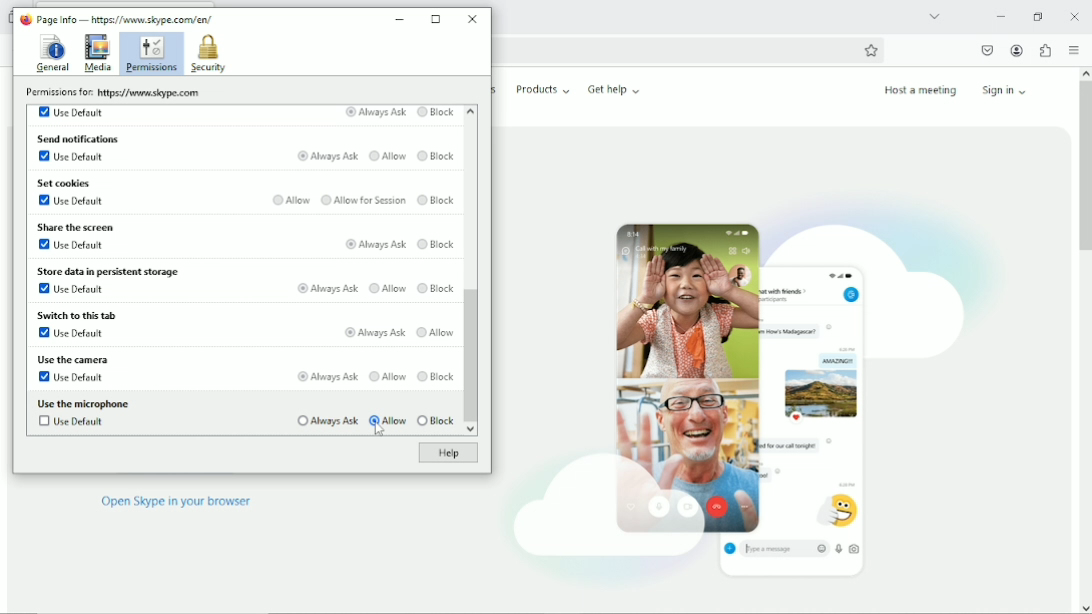 The image size is (1092, 614). I want to click on Block, so click(438, 286).